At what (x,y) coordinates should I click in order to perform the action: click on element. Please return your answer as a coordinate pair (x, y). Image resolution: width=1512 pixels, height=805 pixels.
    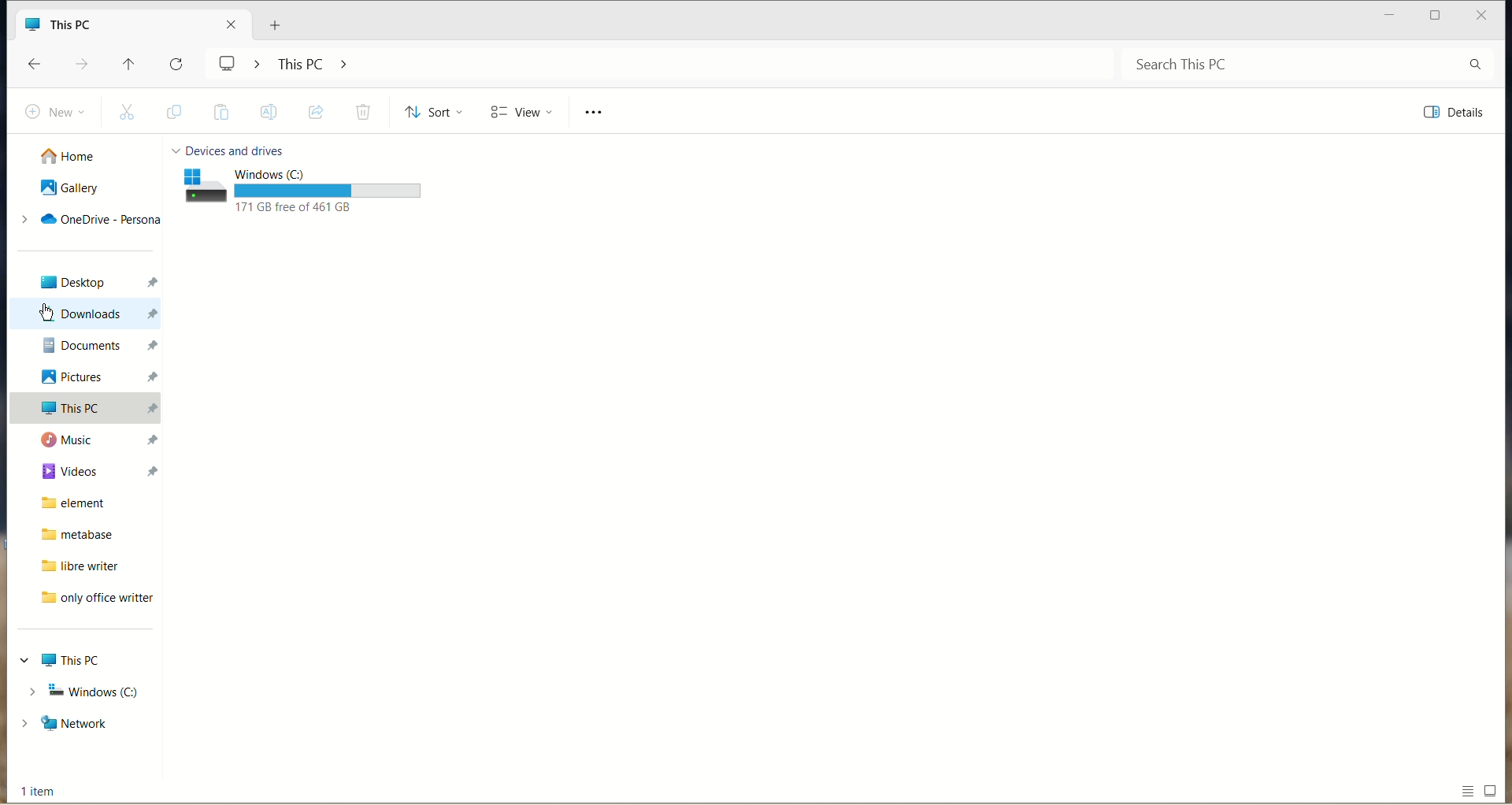
    Looking at the image, I should click on (84, 503).